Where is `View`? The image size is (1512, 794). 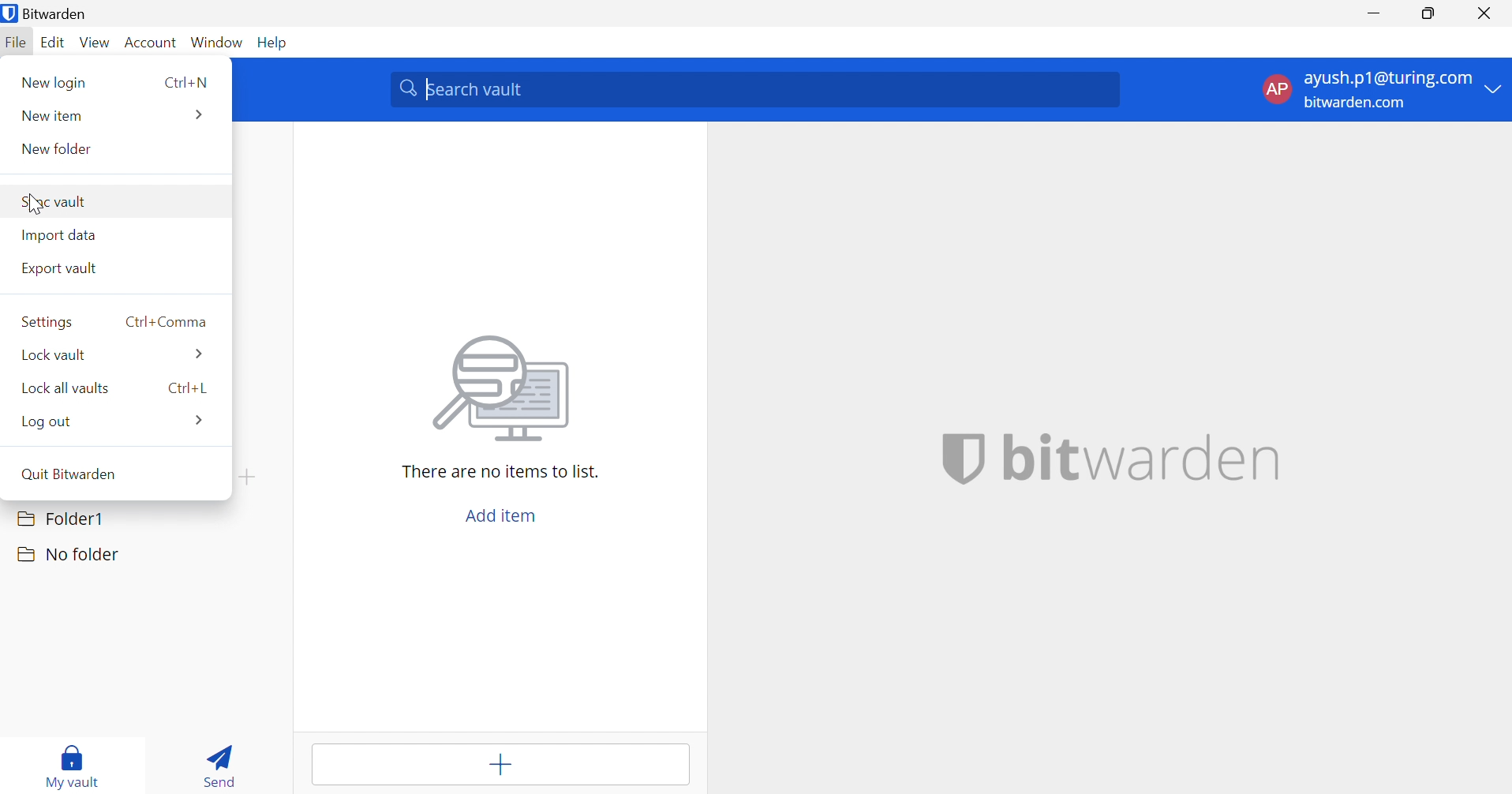
View is located at coordinates (97, 41).